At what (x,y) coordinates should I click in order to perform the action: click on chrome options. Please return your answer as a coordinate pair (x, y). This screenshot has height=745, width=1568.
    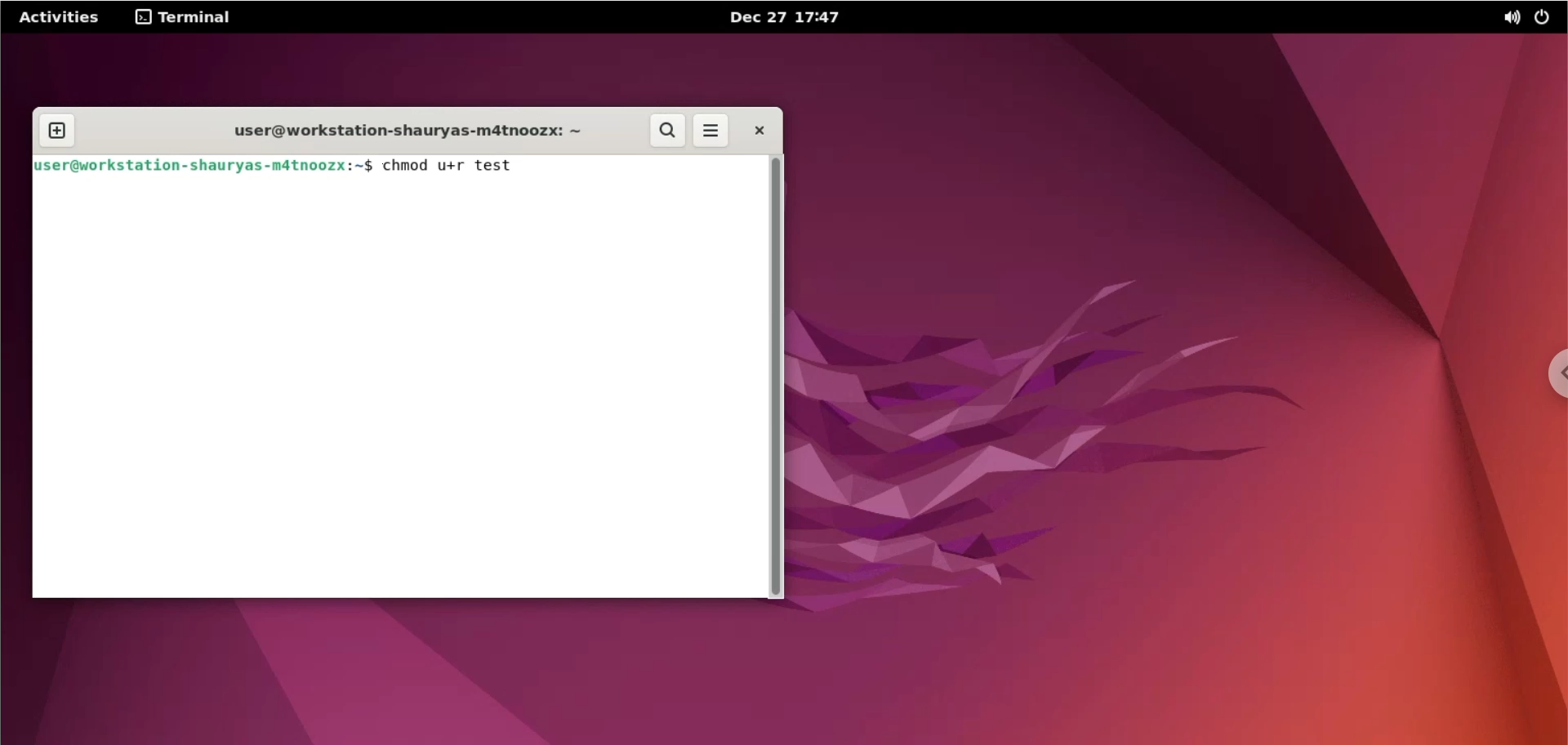
    Looking at the image, I should click on (1549, 373).